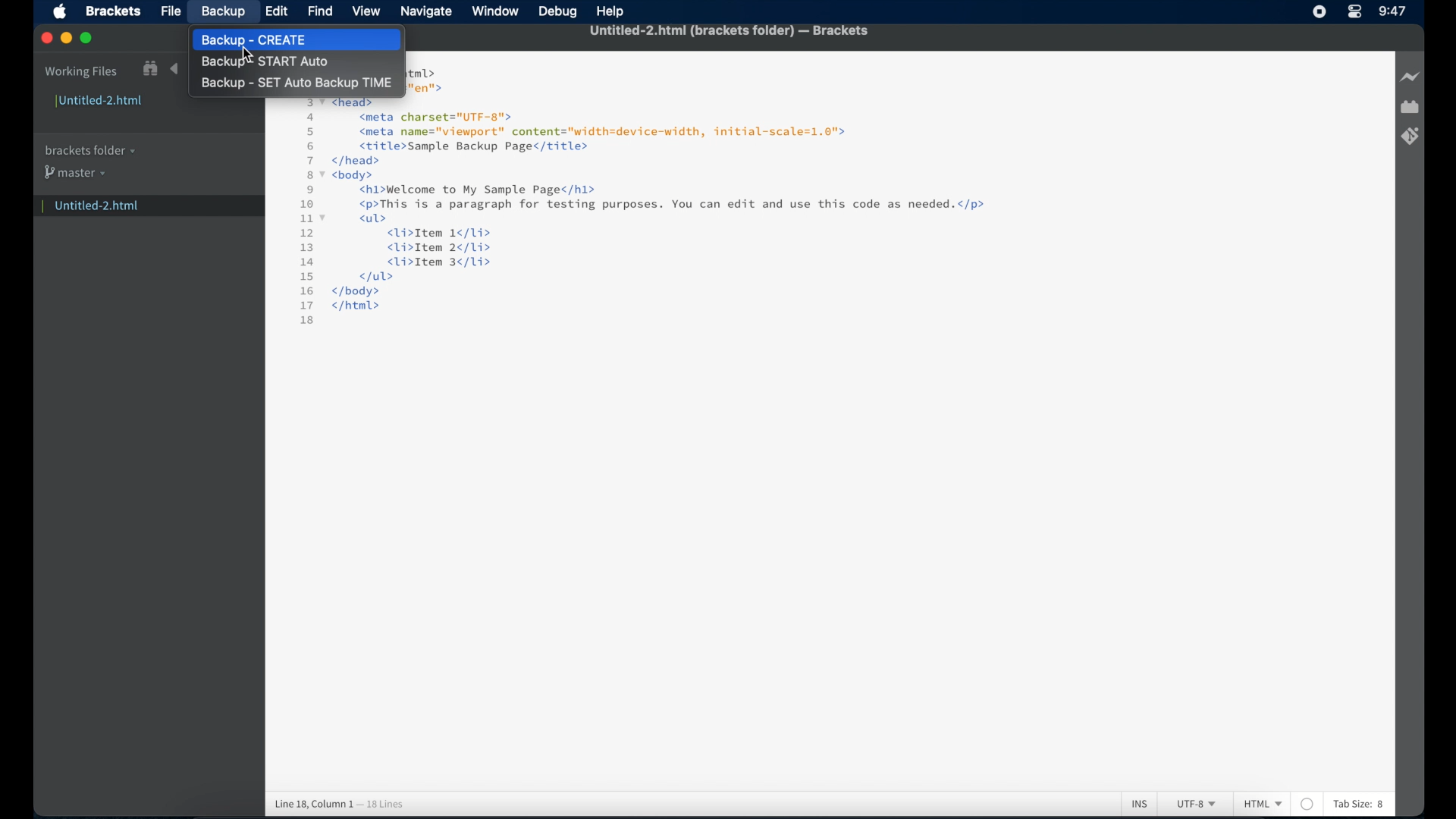  Describe the element at coordinates (1410, 77) in the screenshot. I see `live preview` at that location.